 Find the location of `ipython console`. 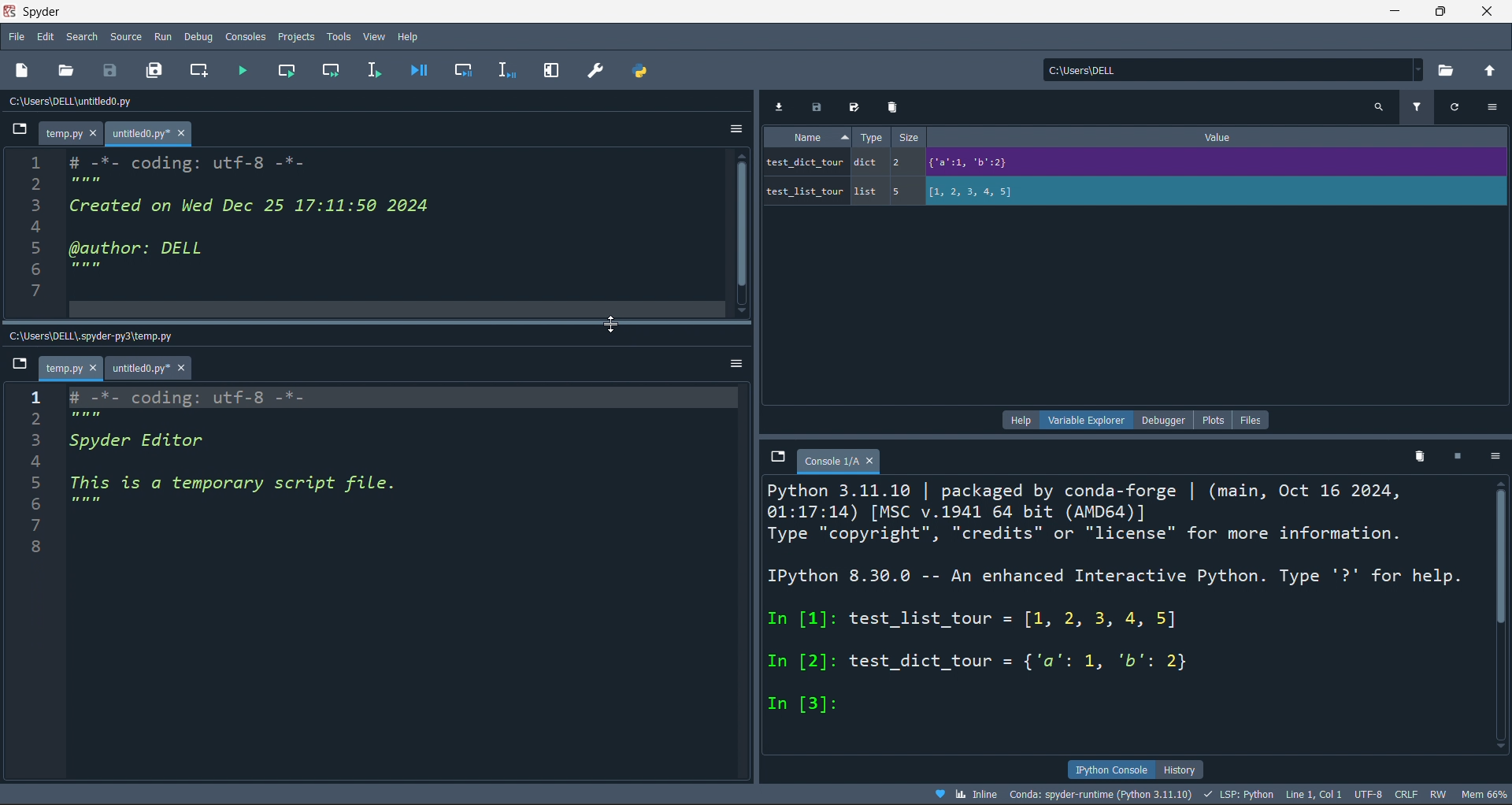

ipython console is located at coordinates (1107, 768).